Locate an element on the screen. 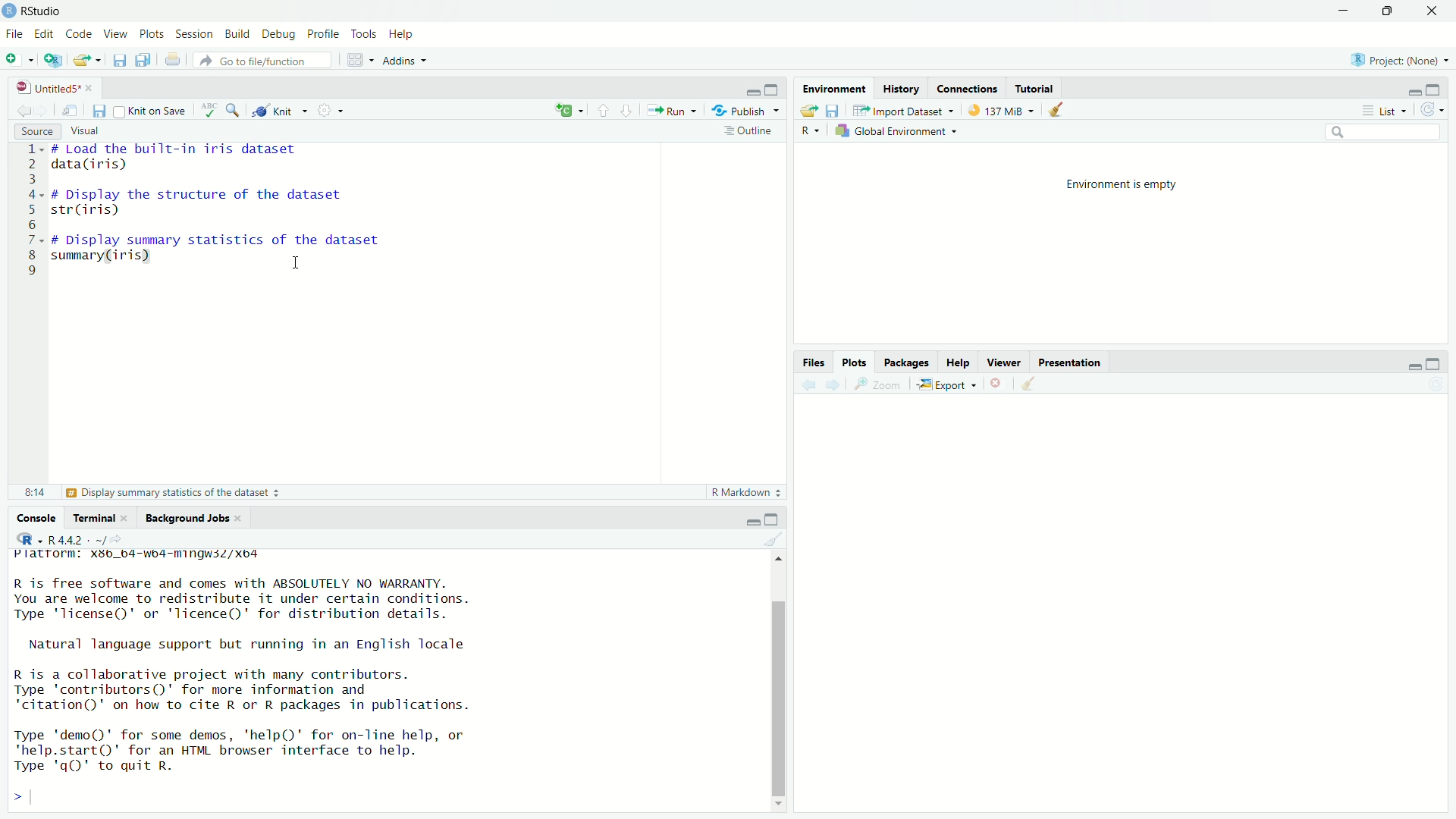 The height and width of the screenshot is (819, 1456). Viewer is located at coordinates (1003, 360).